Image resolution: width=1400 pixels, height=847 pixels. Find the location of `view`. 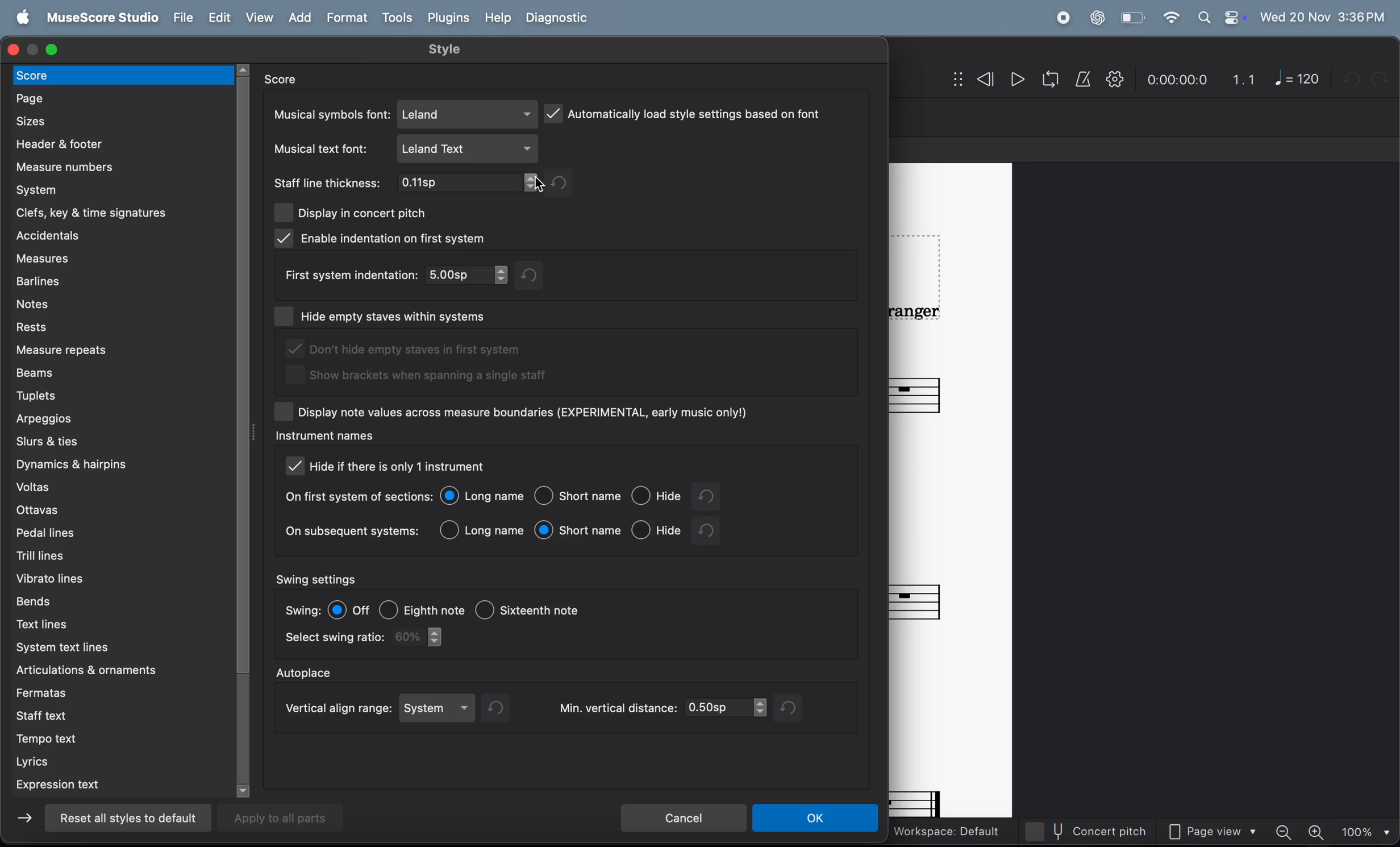

view is located at coordinates (261, 18).